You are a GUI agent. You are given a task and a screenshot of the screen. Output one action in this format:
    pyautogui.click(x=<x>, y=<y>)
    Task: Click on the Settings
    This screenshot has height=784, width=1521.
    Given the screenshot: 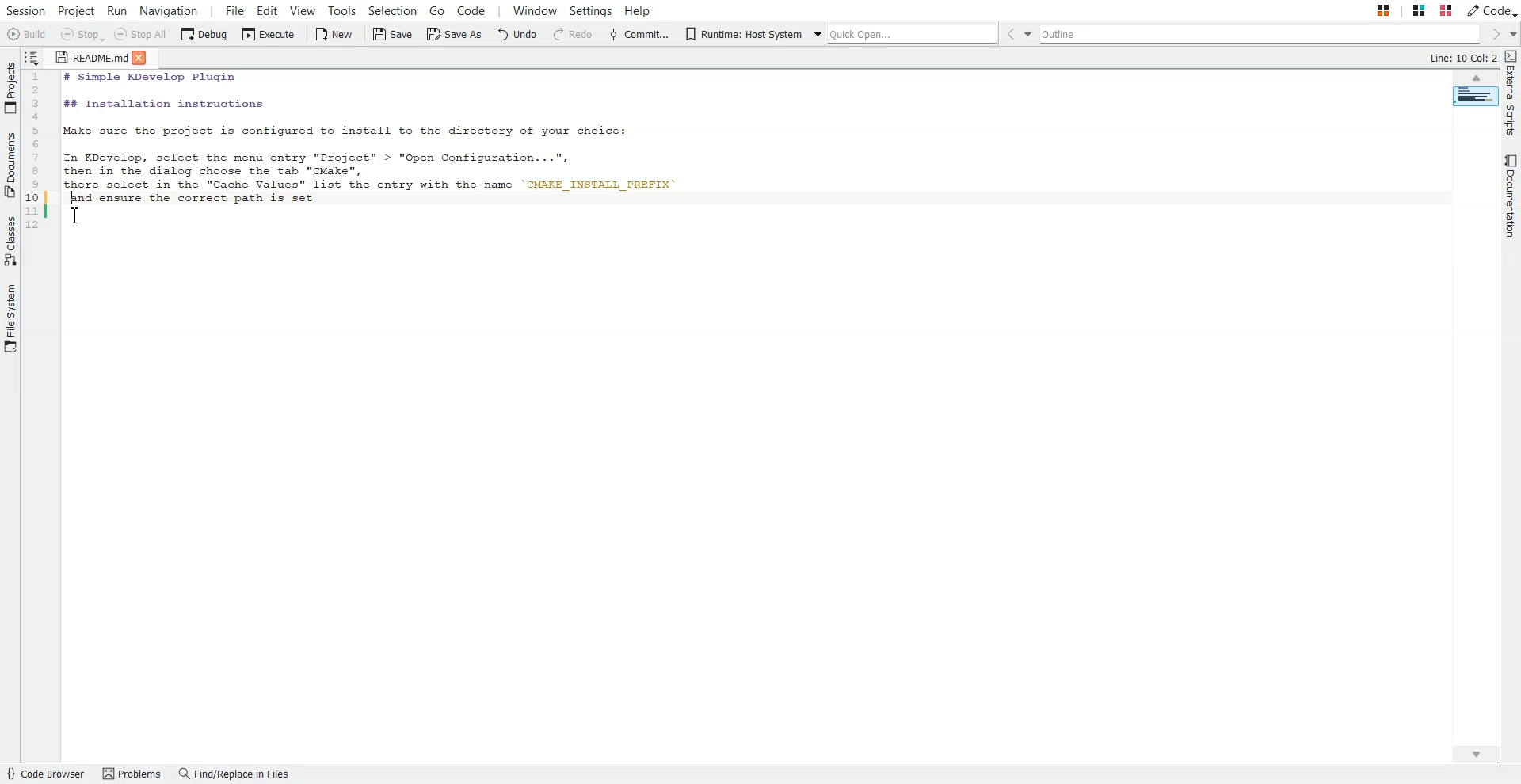 What is the action you would take?
    pyautogui.click(x=592, y=10)
    